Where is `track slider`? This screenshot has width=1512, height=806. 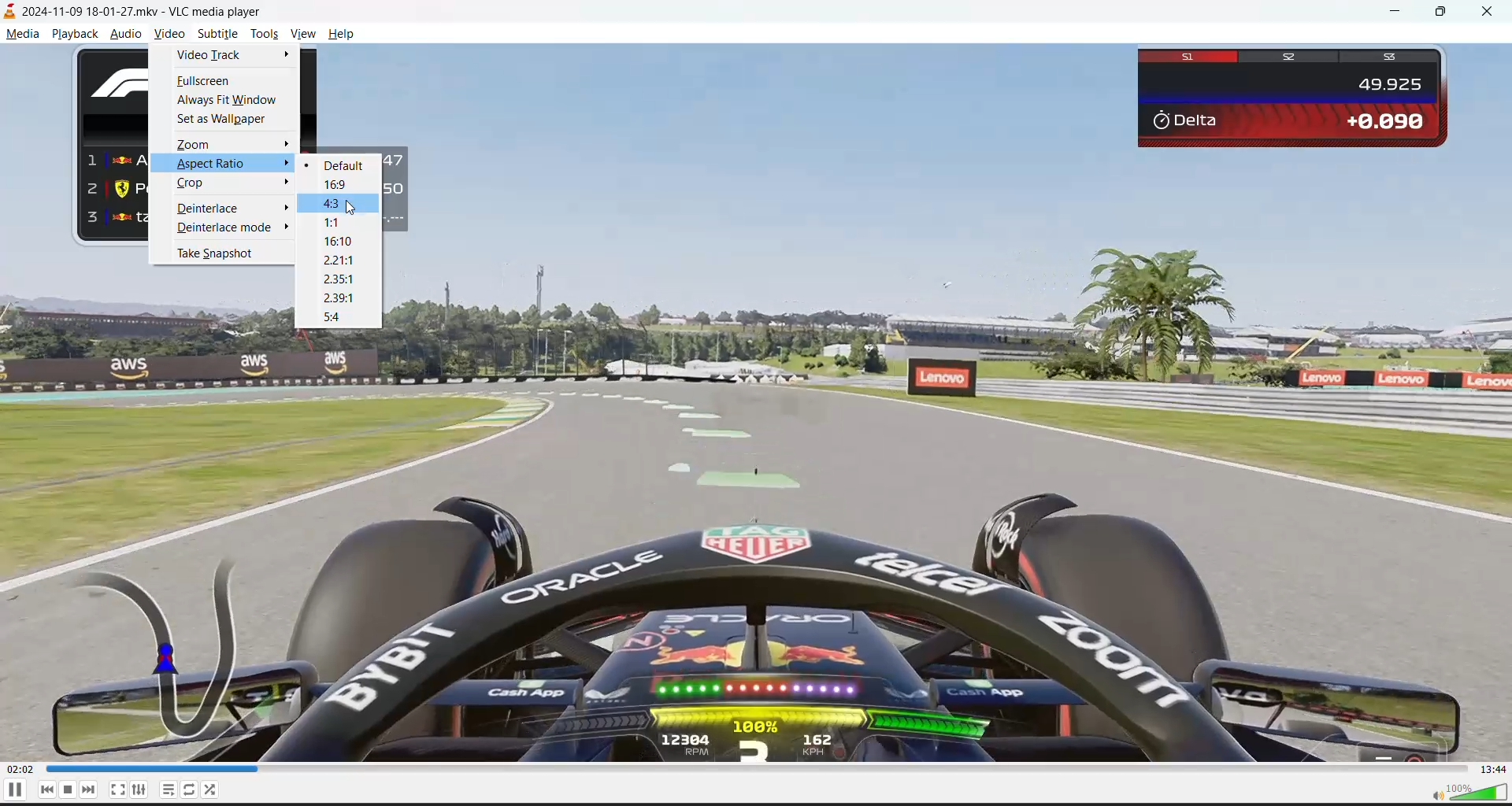 track slider is located at coordinates (755, 769).